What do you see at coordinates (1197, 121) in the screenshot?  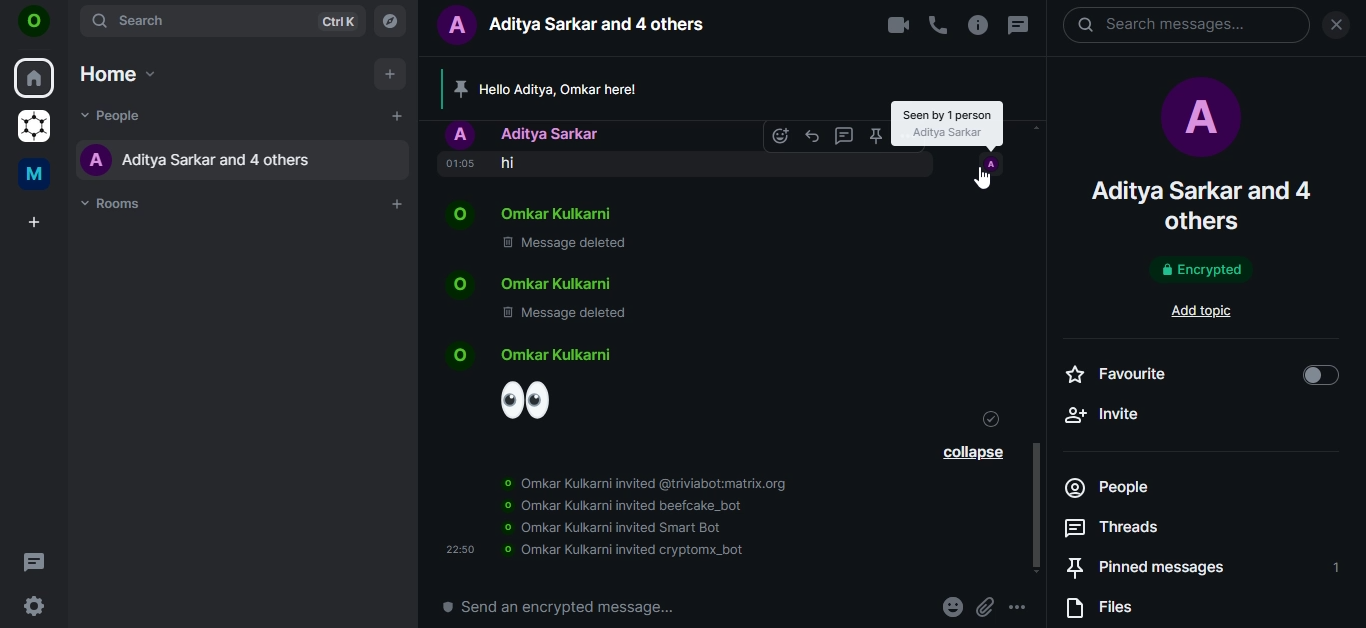 I see `profile picture` at bounding box center [1197, 121].